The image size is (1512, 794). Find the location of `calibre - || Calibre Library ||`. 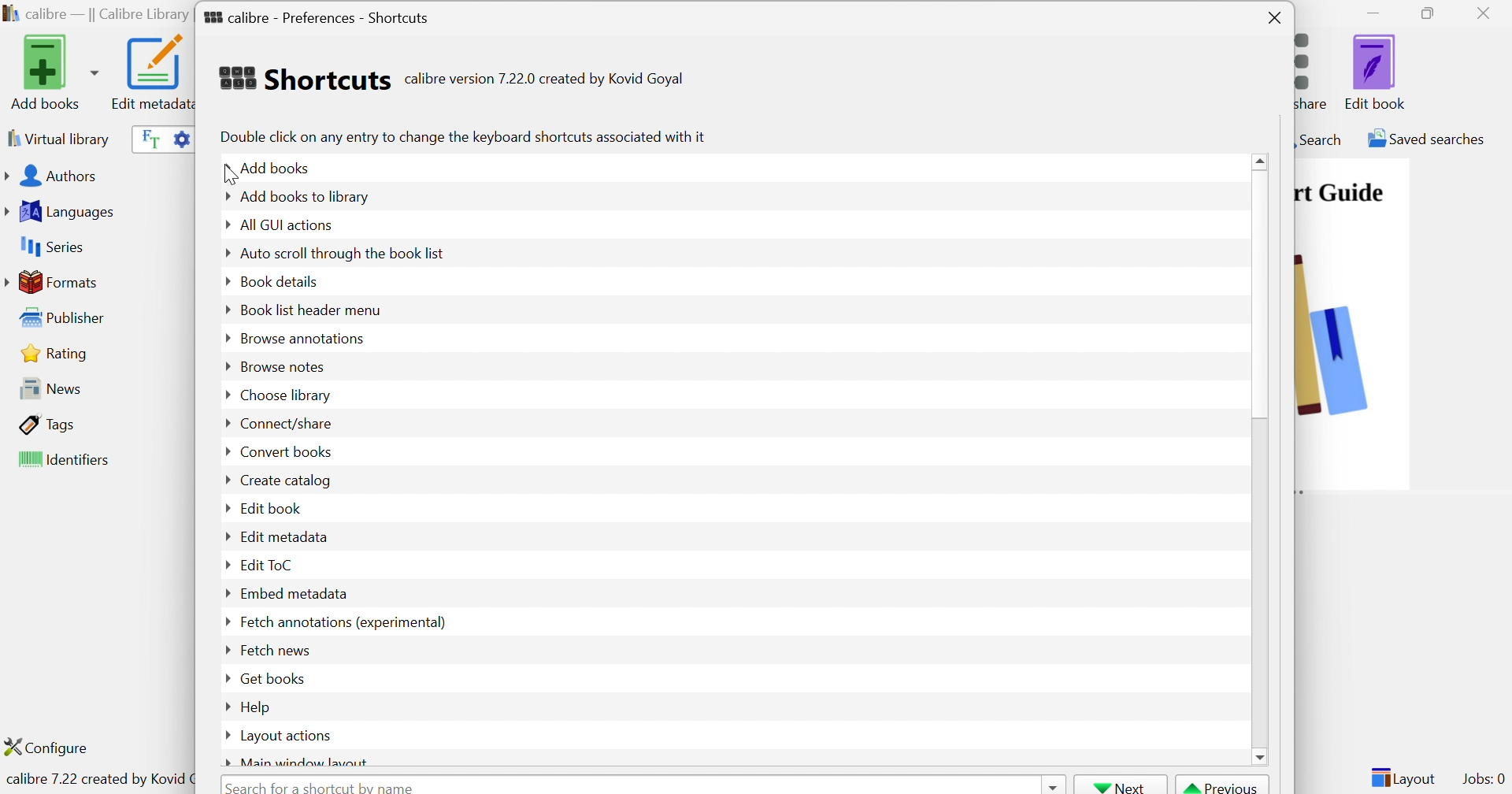

calibre - || Calibre Library || is located at coordinates (95, 15).